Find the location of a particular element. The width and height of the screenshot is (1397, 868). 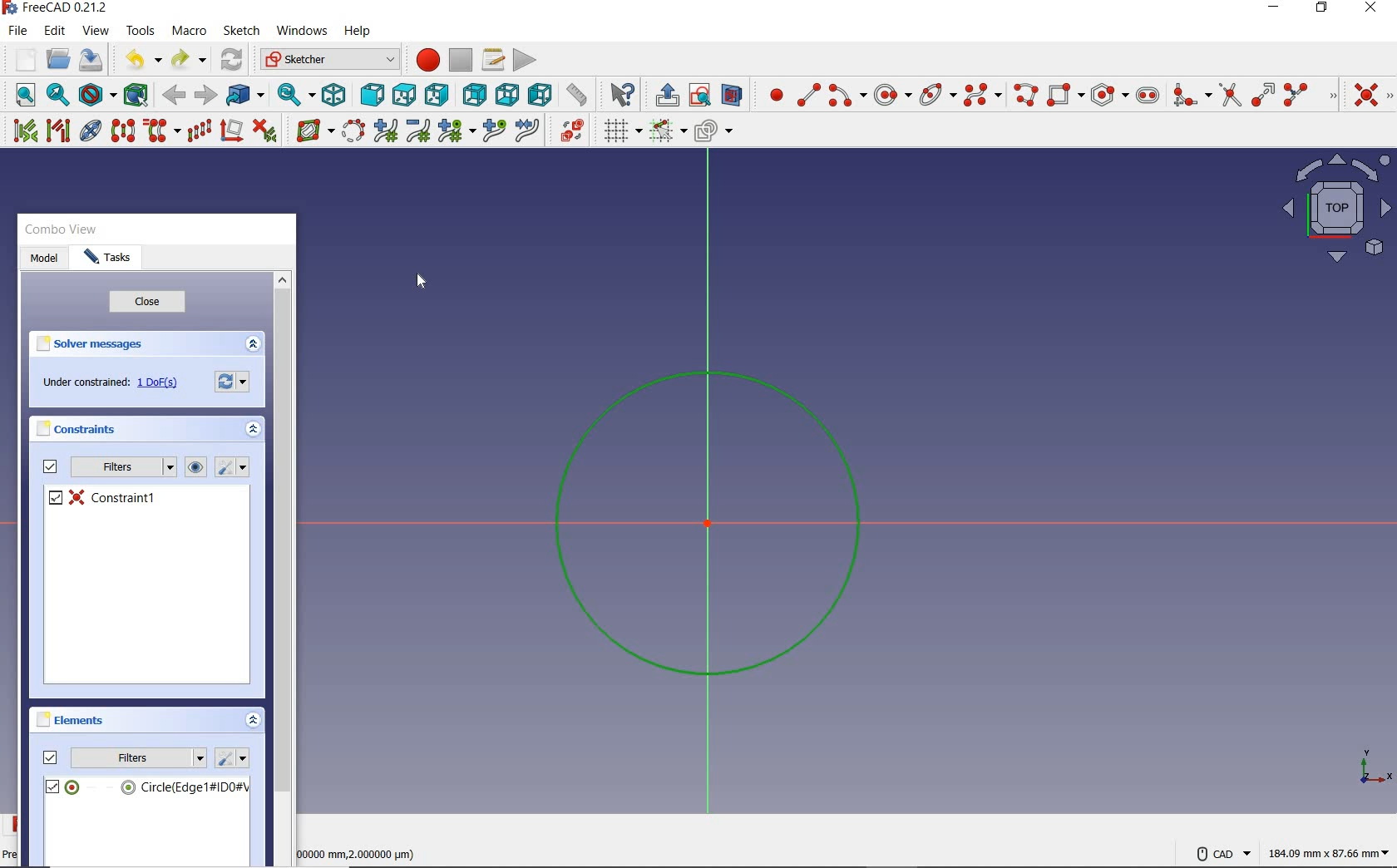

circle(edge) is located at coordinates (146, 786).